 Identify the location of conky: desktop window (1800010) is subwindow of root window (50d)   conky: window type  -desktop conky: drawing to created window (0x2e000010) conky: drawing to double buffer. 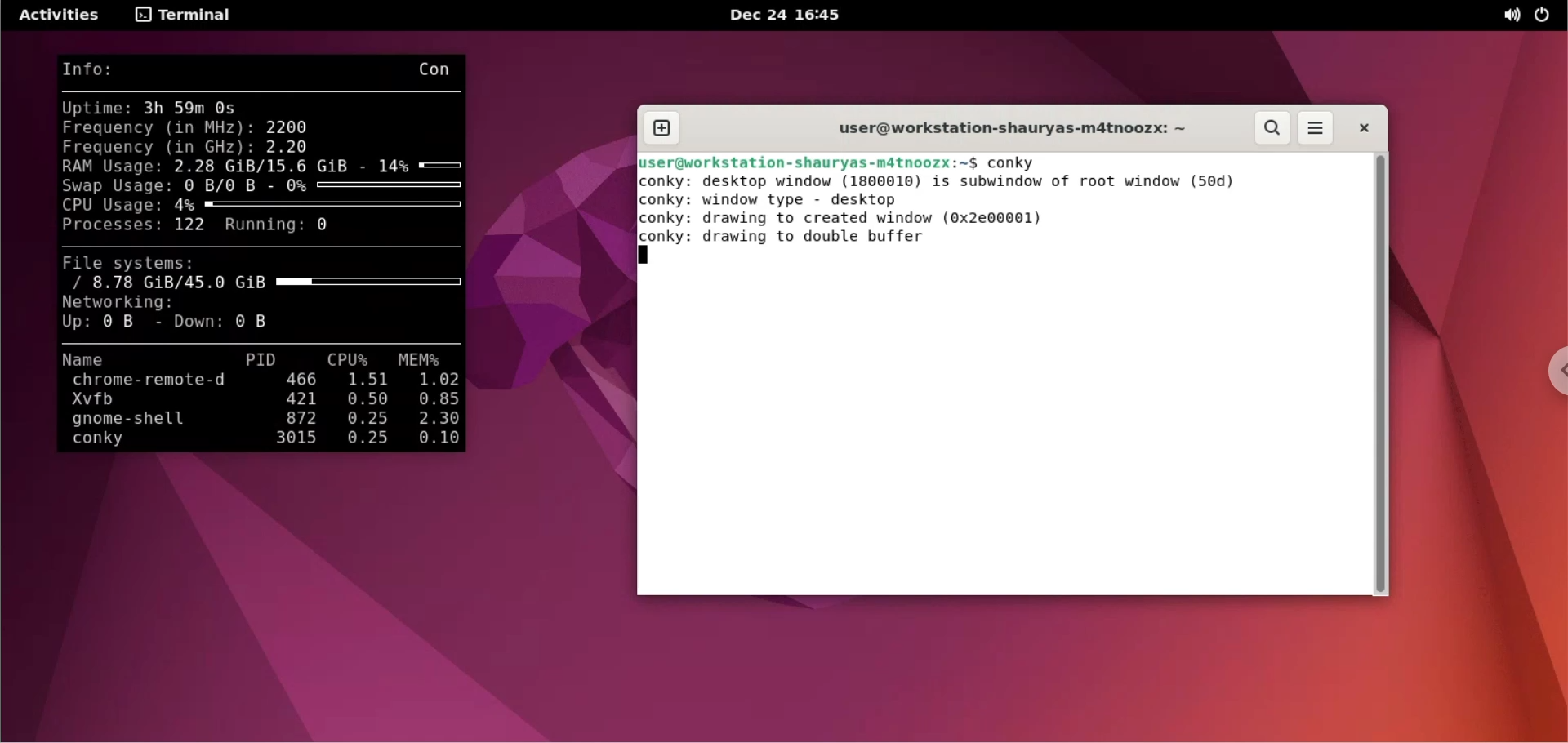
(1002, 227).